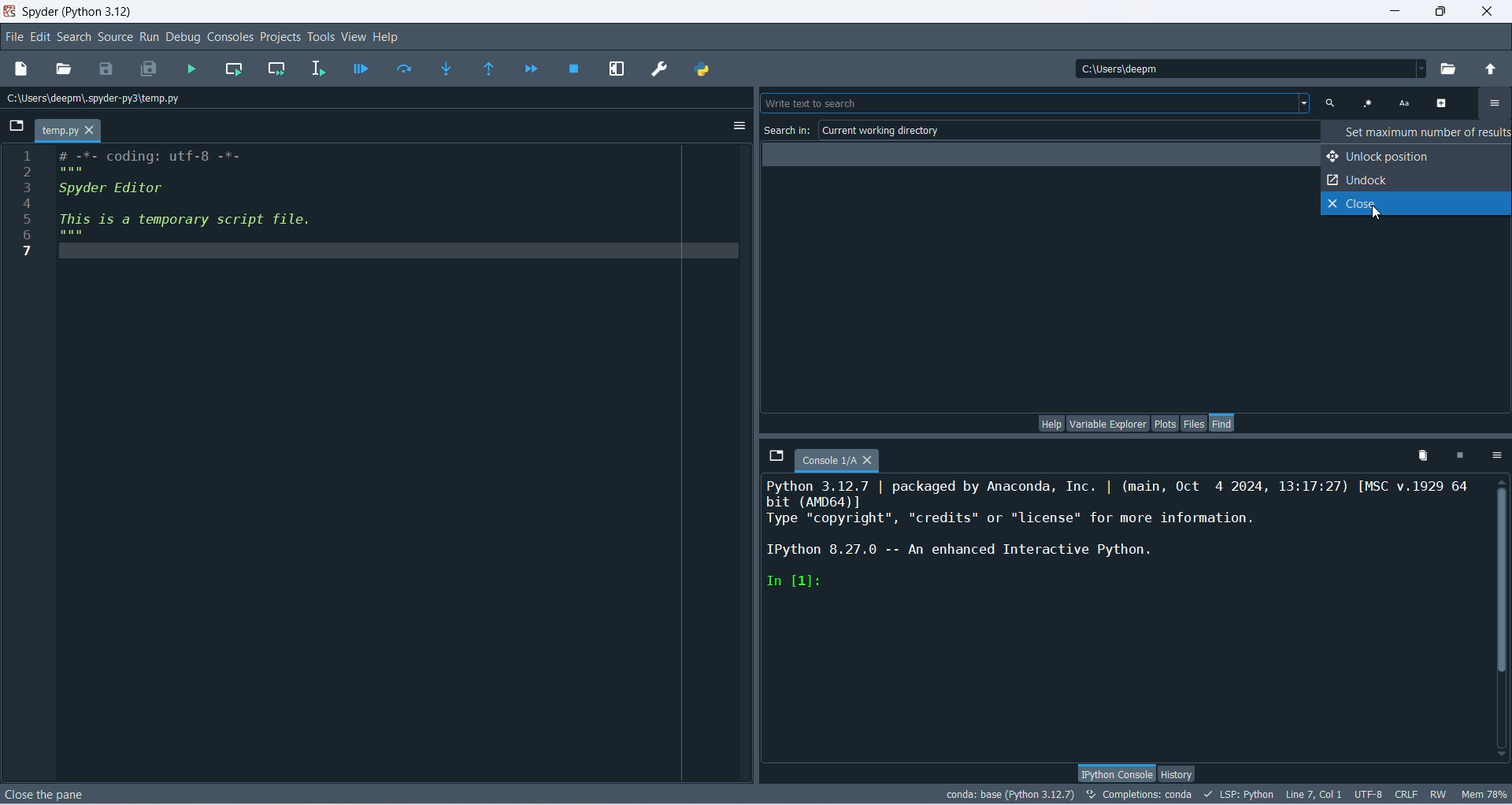  What do you see at coordinates (1223, 422) in the screenshot?
I see `find` at bounding box center [1223, 422].